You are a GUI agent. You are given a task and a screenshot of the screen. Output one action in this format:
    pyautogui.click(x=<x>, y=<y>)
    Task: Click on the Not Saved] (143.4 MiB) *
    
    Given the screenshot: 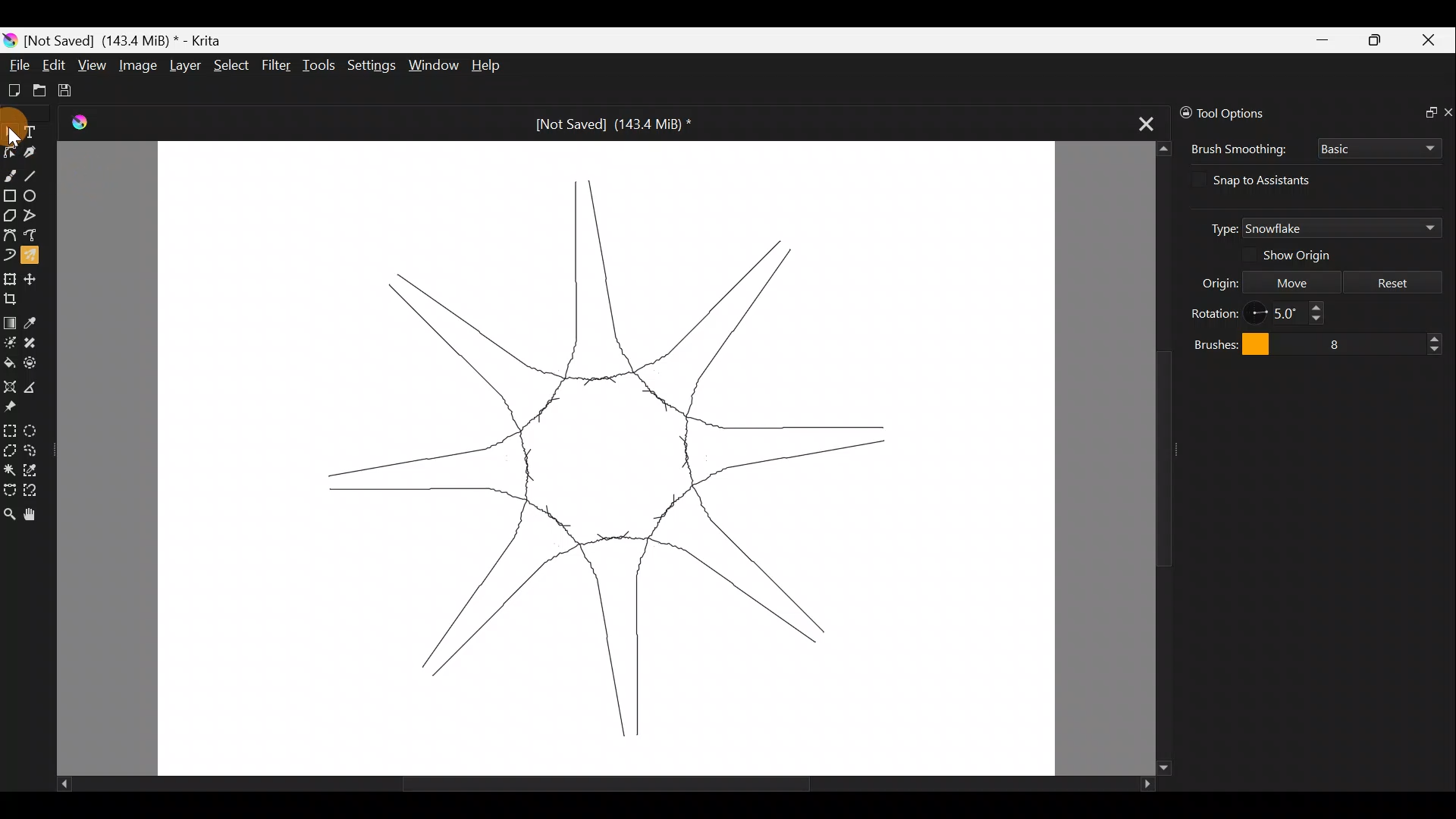 What is the action you would take?
    pyautogui.click(x=129, y=39)
    